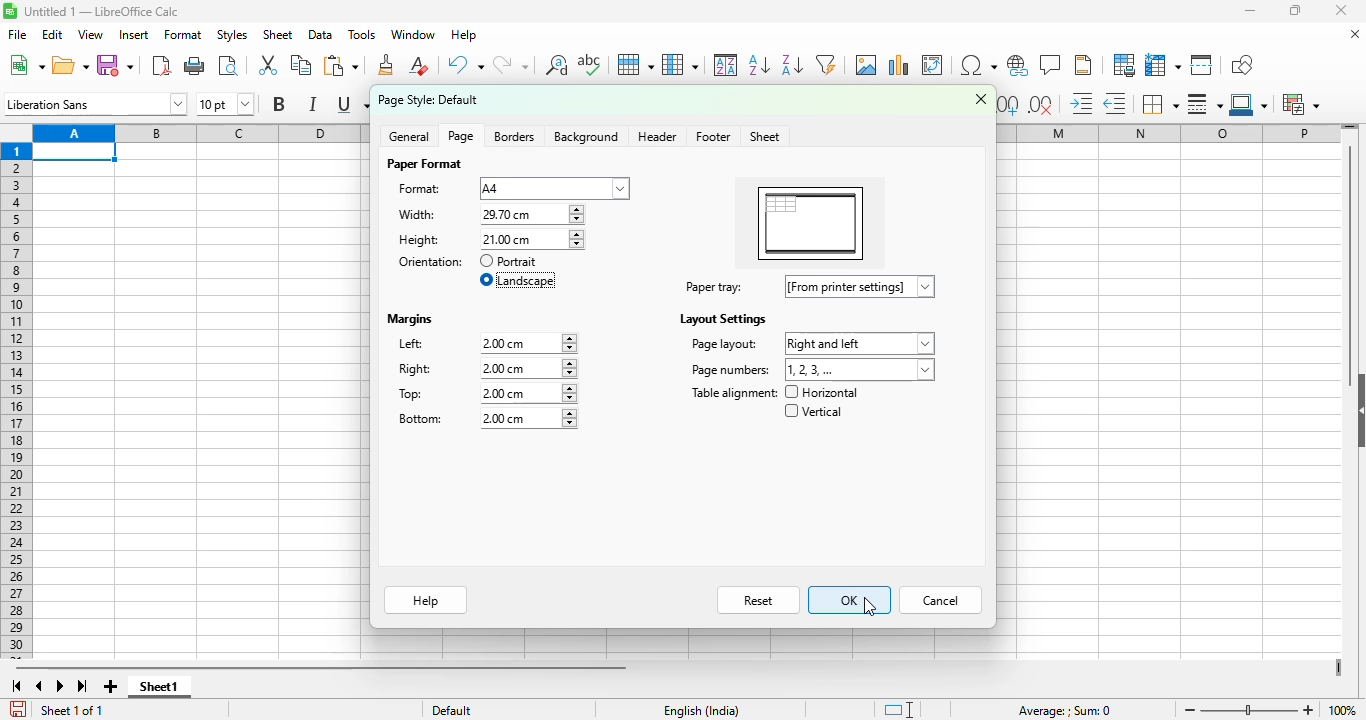 The height and width of the screenshot is (720, 1366). What do you see at coordinates (162, 65) in the screenshot?
I see `export directly as PDF` at bounding box center [162, 65].